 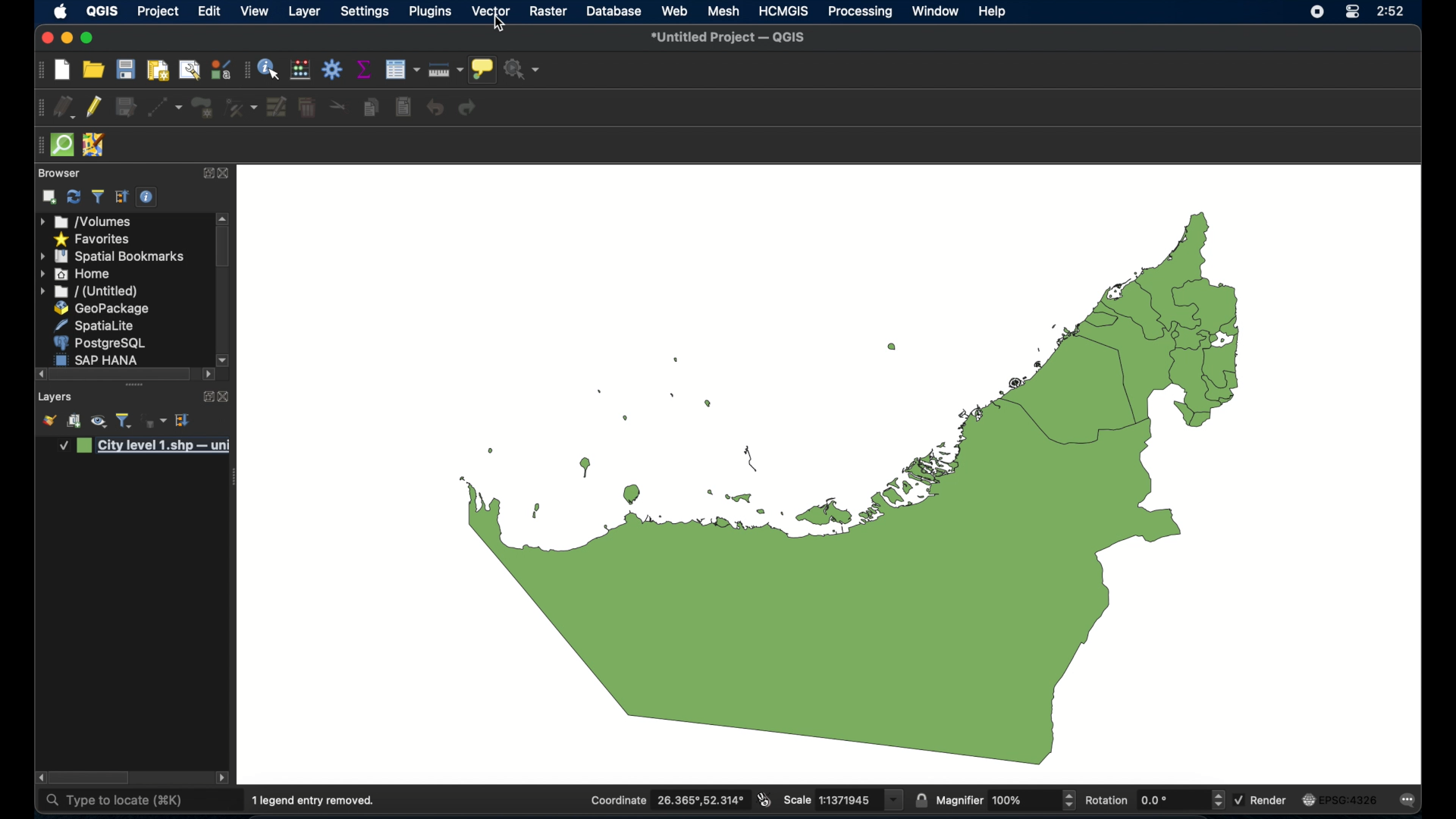 I want to click on vertes tool, so click(x=239, y=107).